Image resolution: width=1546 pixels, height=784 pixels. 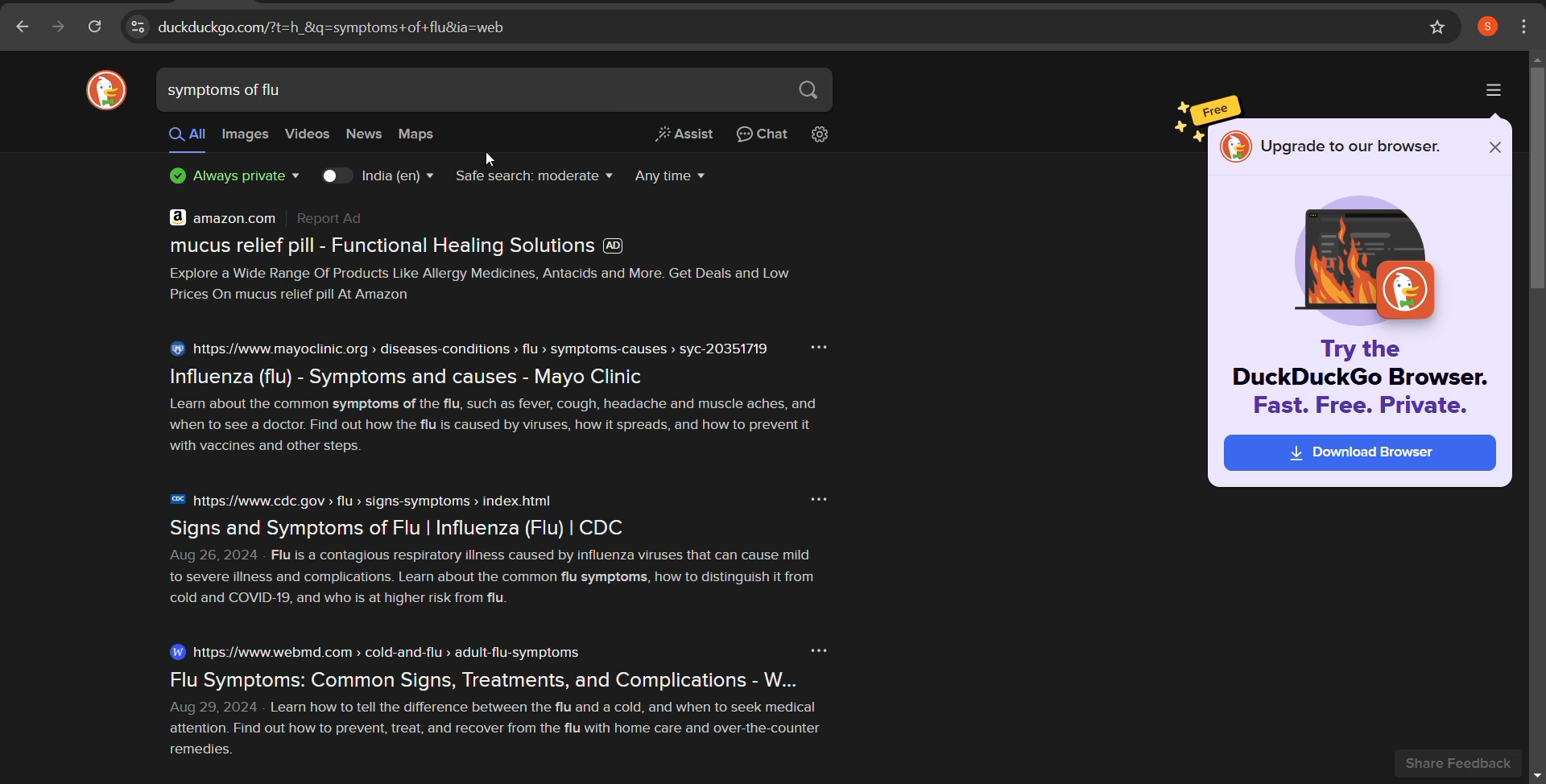 I want to click on cursor, so click(x=495, y=158).